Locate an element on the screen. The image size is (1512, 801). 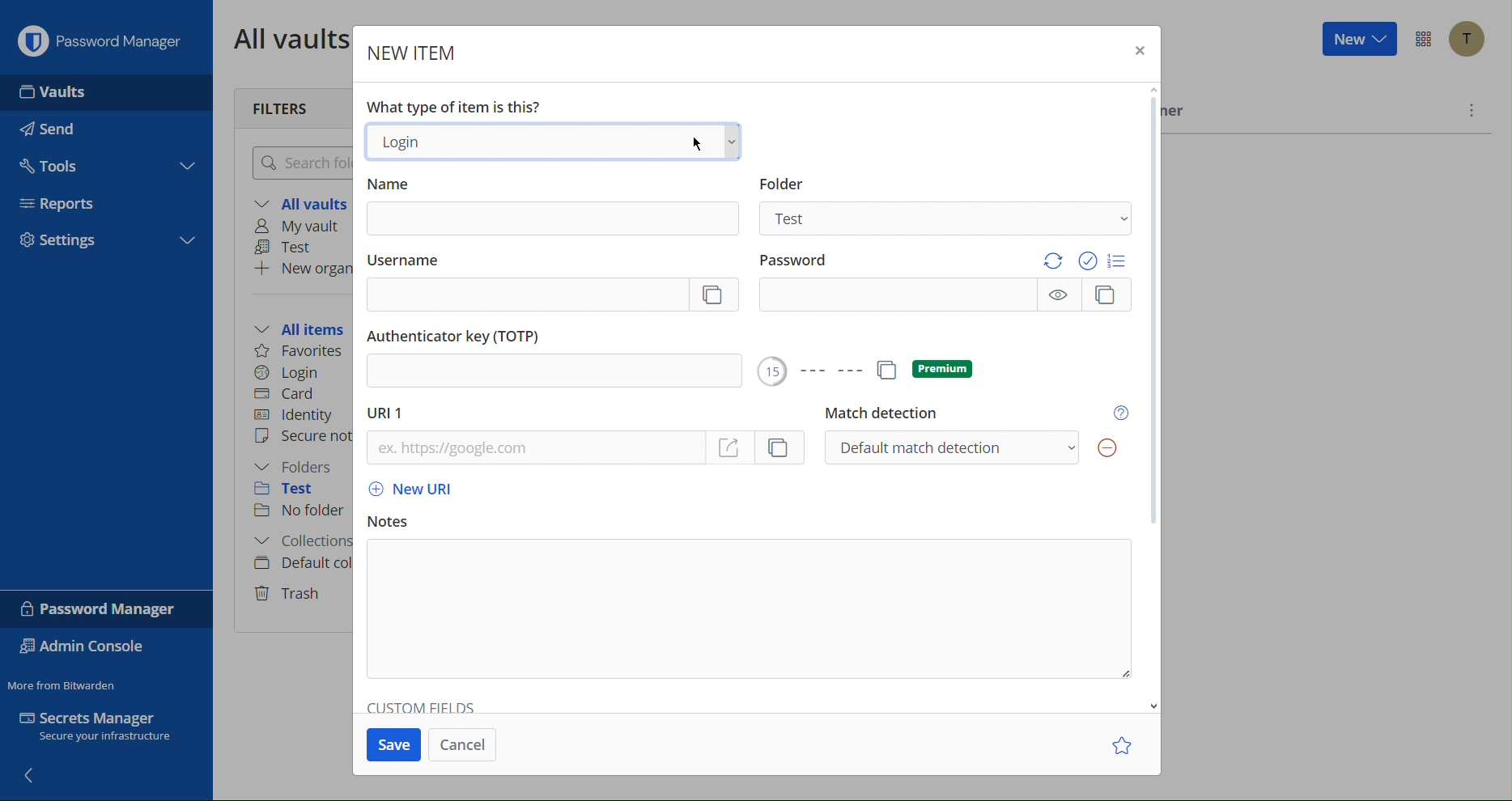
Options is located at coordinates (869, 372).